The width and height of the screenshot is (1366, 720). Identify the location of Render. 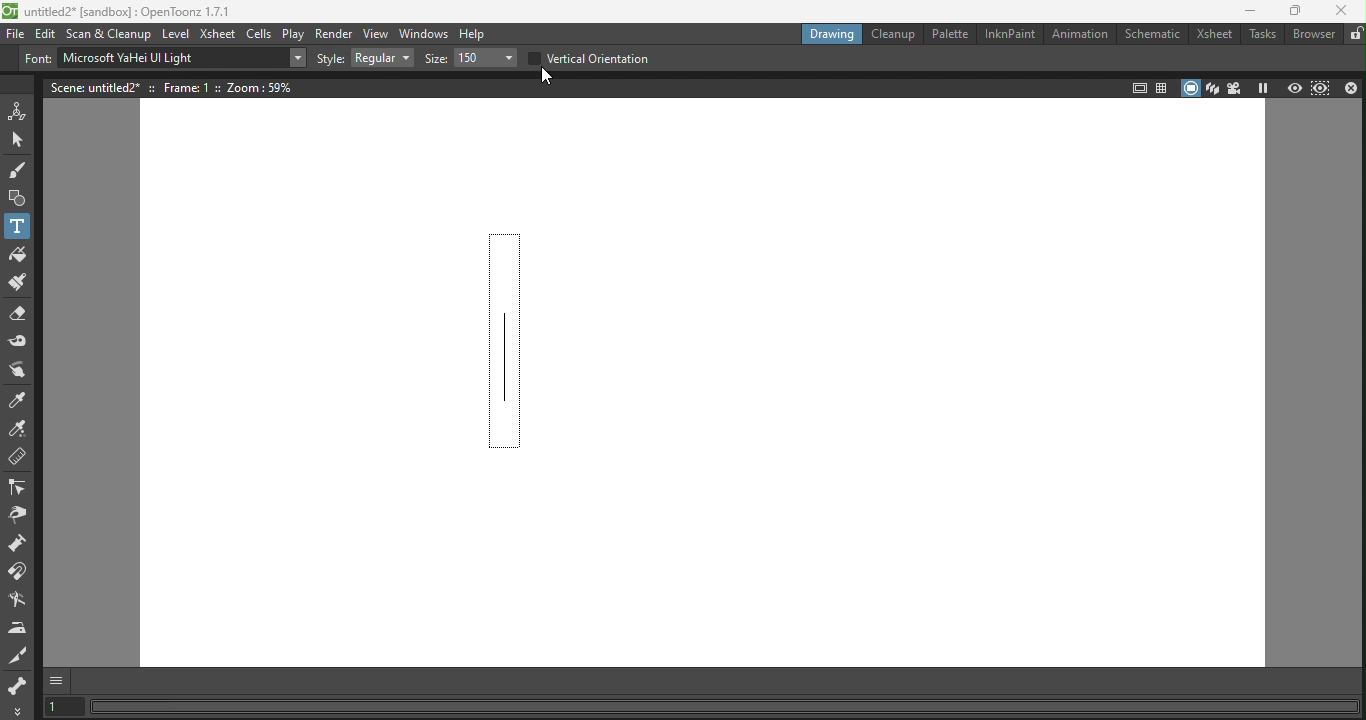
(335, 34).